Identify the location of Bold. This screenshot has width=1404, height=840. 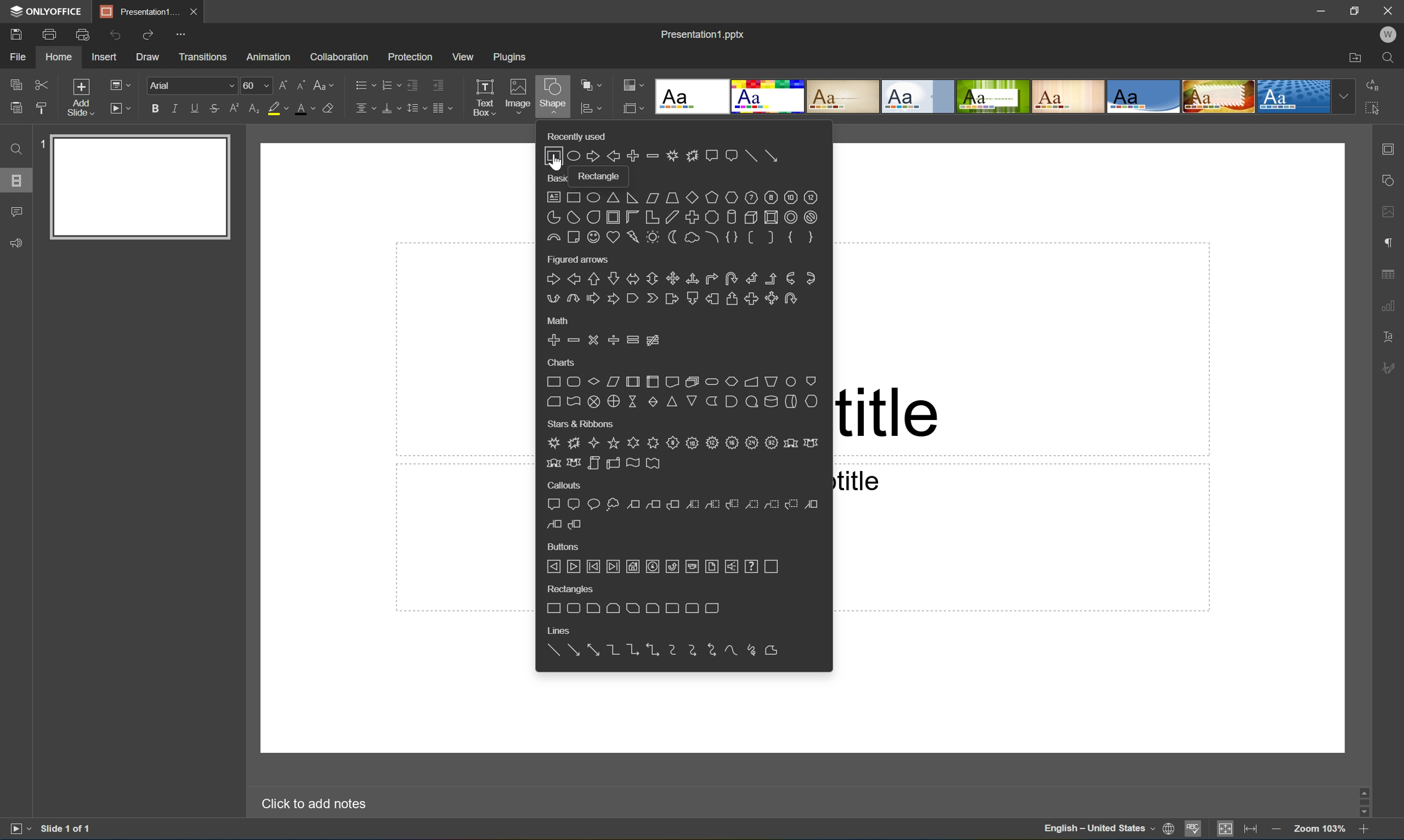
(153, 108).